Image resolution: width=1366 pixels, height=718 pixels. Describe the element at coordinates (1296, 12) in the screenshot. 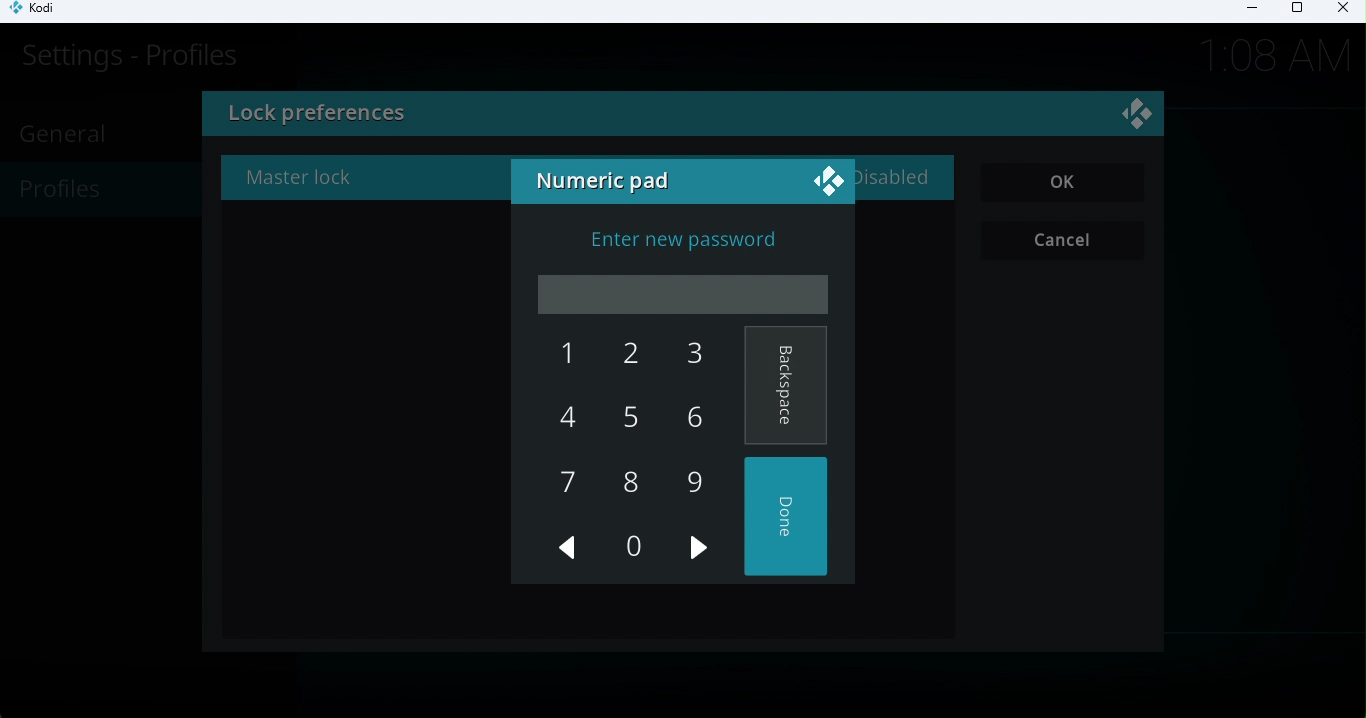

I see `Maximize` at that location.